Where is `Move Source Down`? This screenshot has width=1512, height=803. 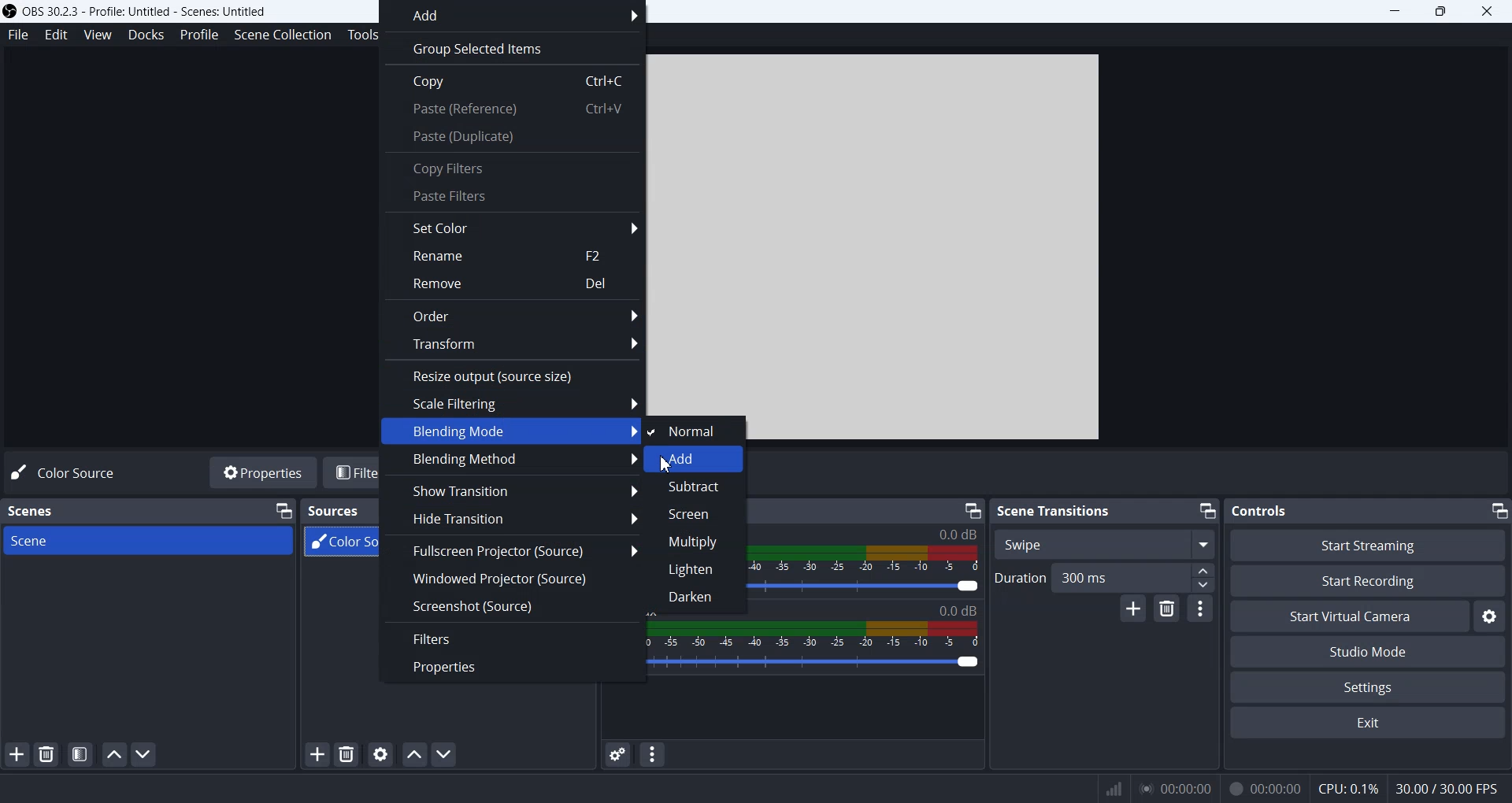
Move Source Down is located at coordinates (446, 754).